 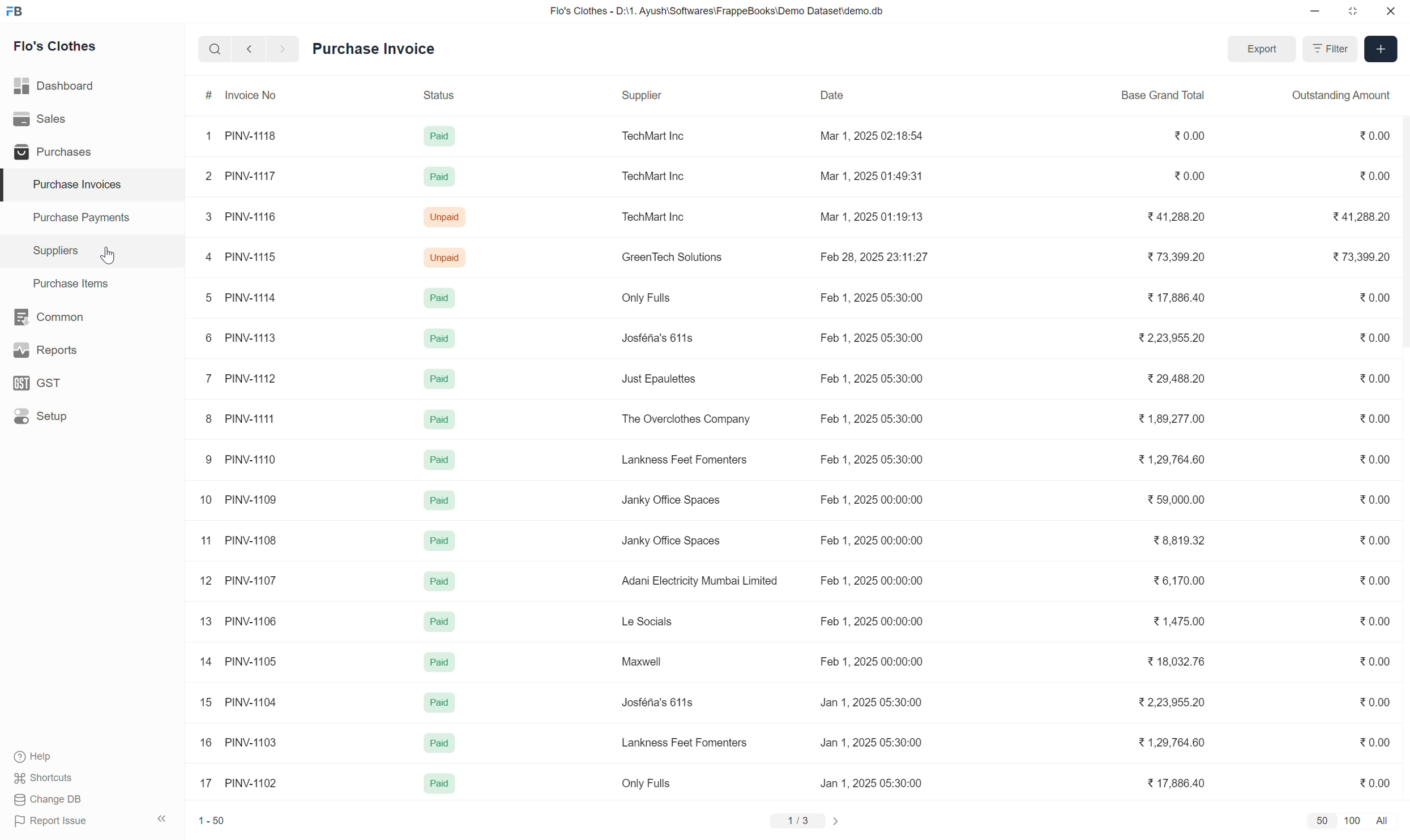 I want to click on Josféna's 611s, so click(x=659, y=337).